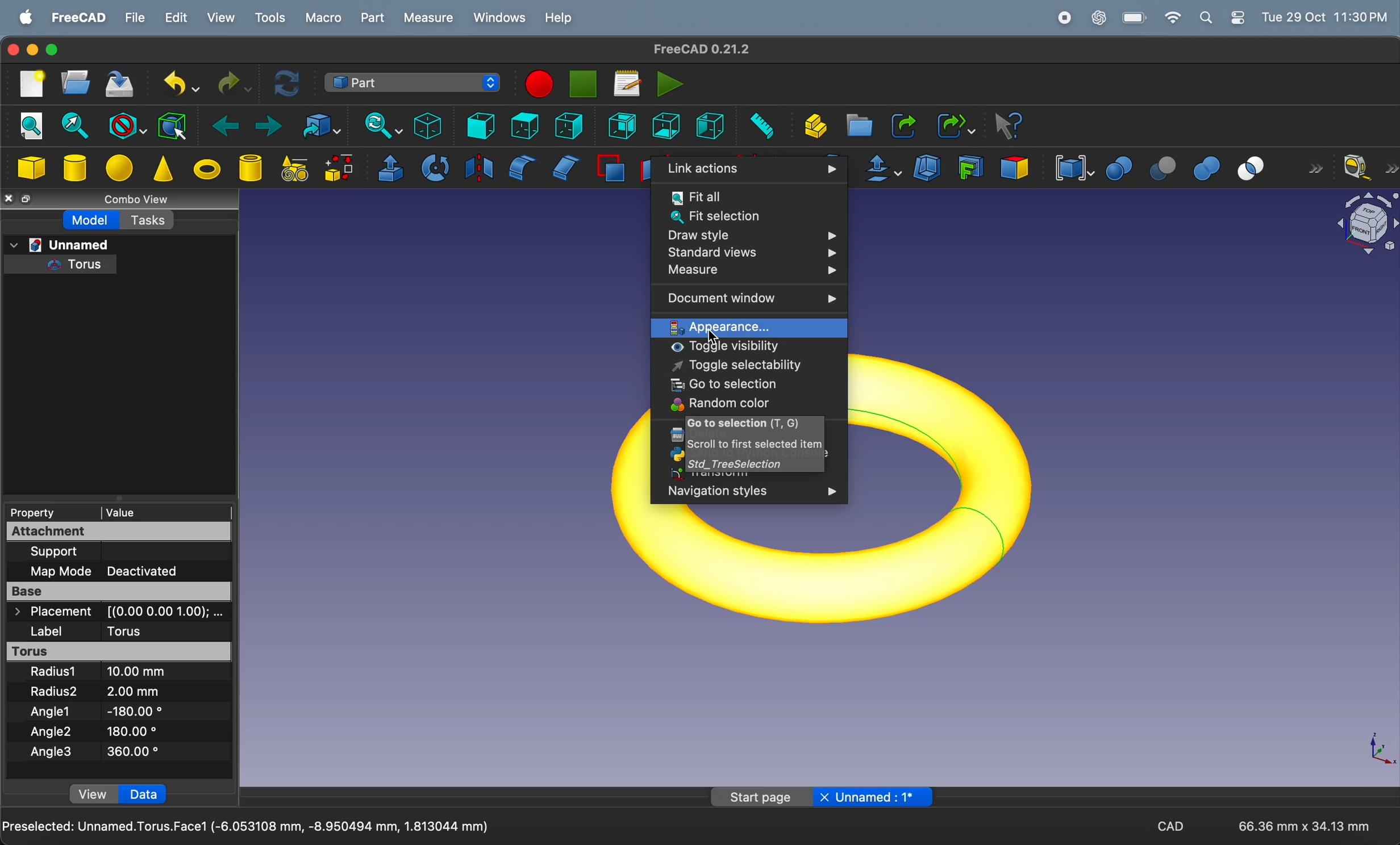  I want to click on go to selection (t,G), so click(746, 424).